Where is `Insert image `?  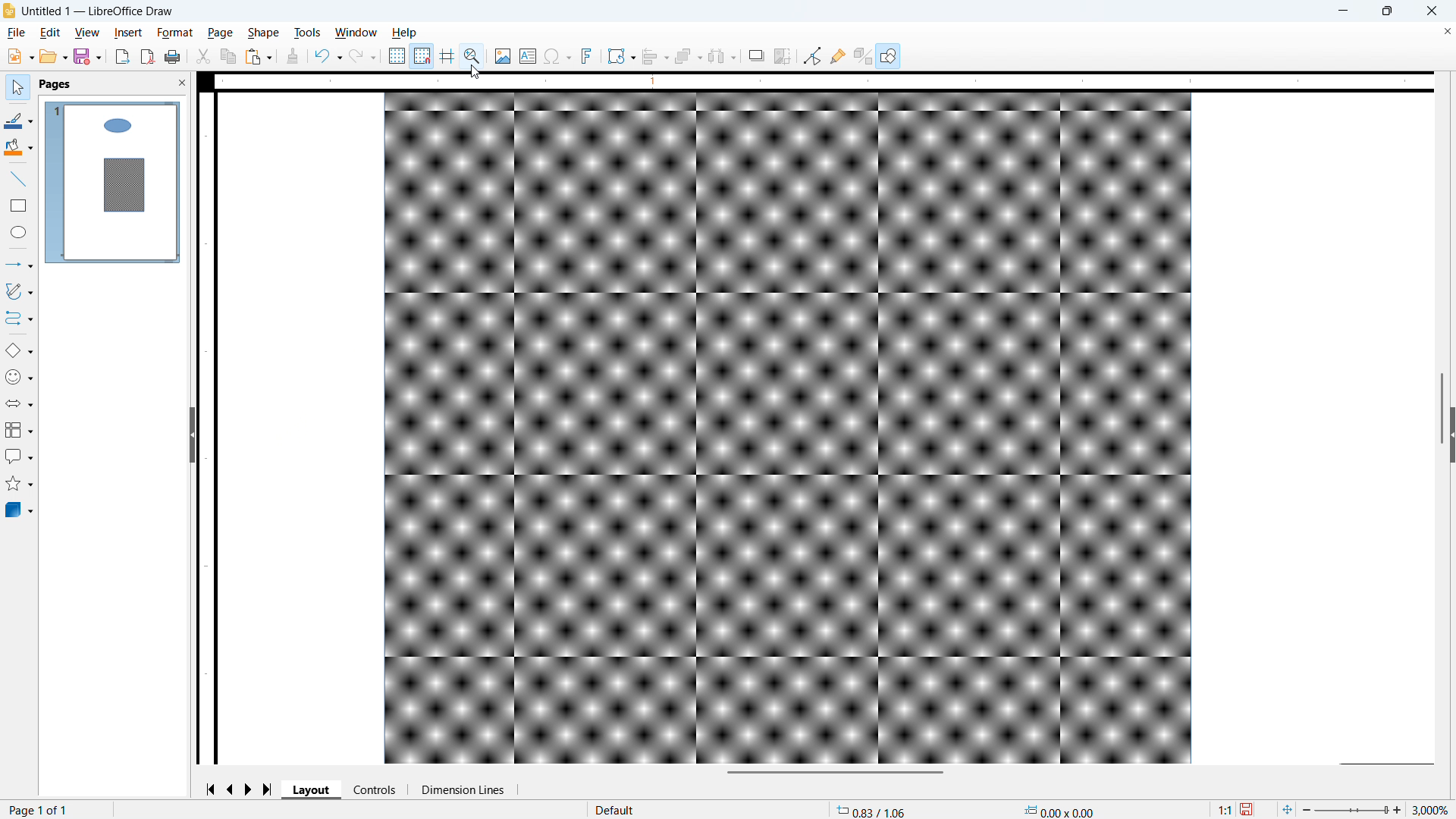 Insert image  is located at coordinates (503, 55).